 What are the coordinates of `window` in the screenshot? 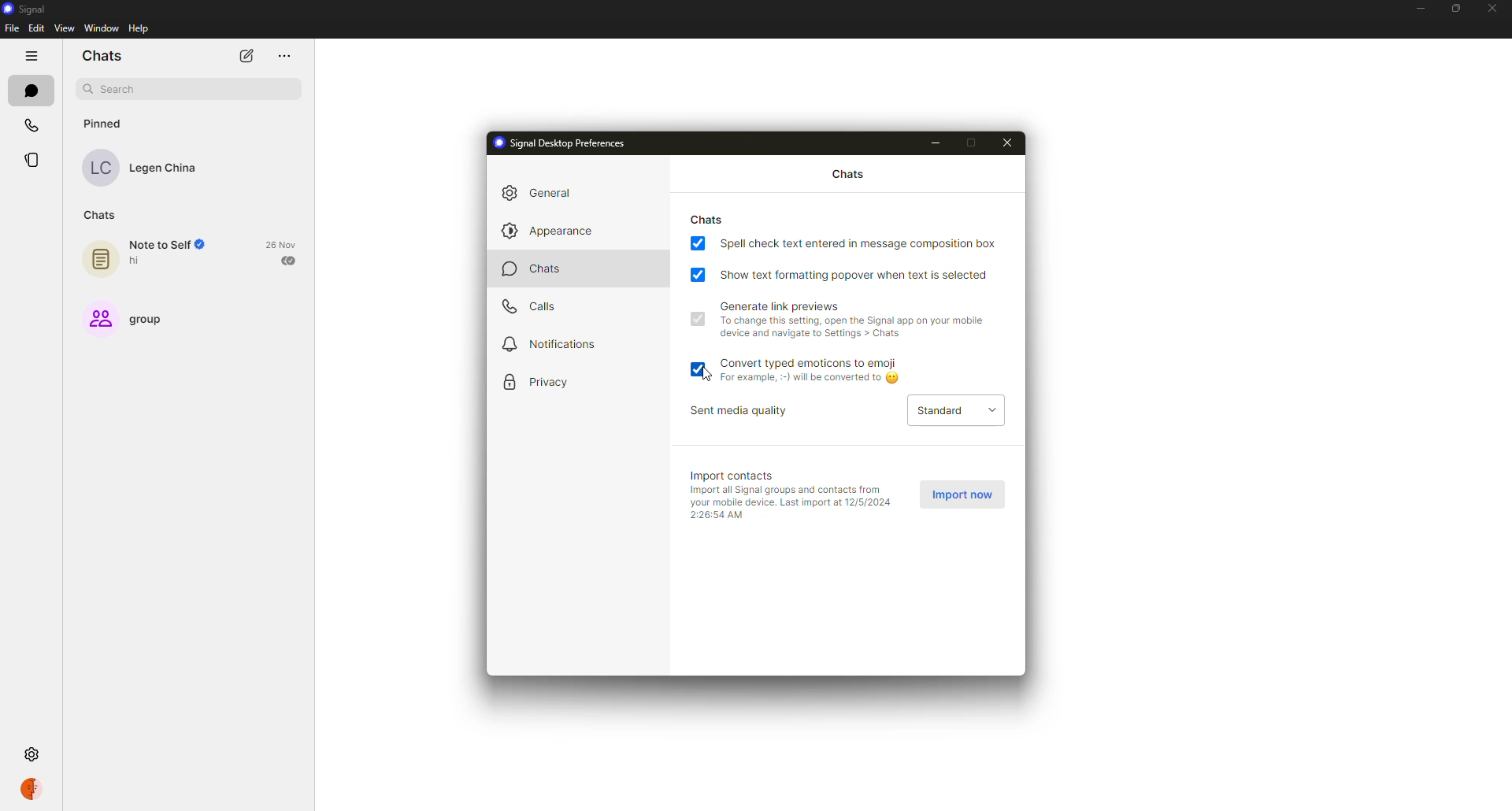 It's located at (102, 28).